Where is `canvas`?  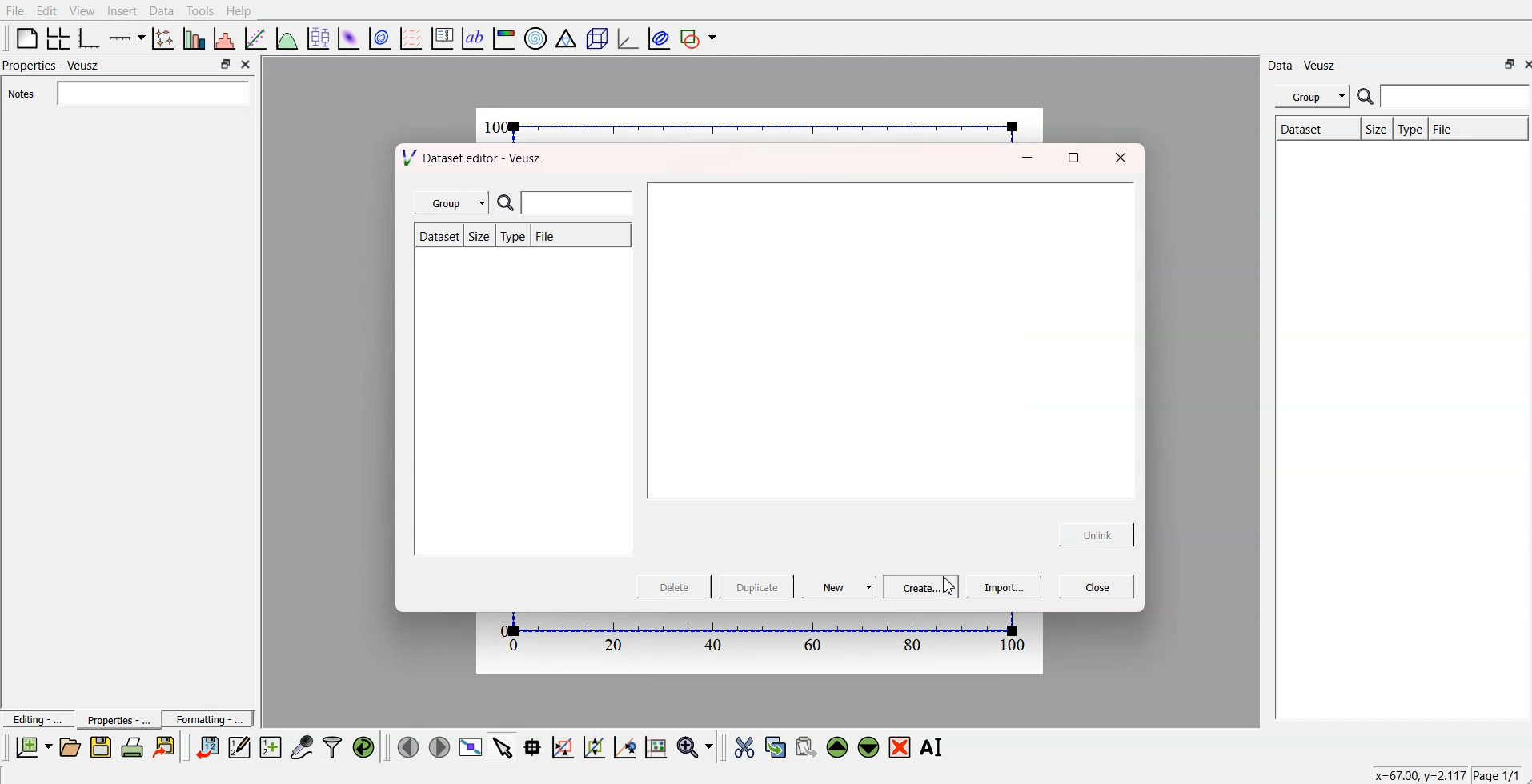 canvas is located at coordinates (761, 643).